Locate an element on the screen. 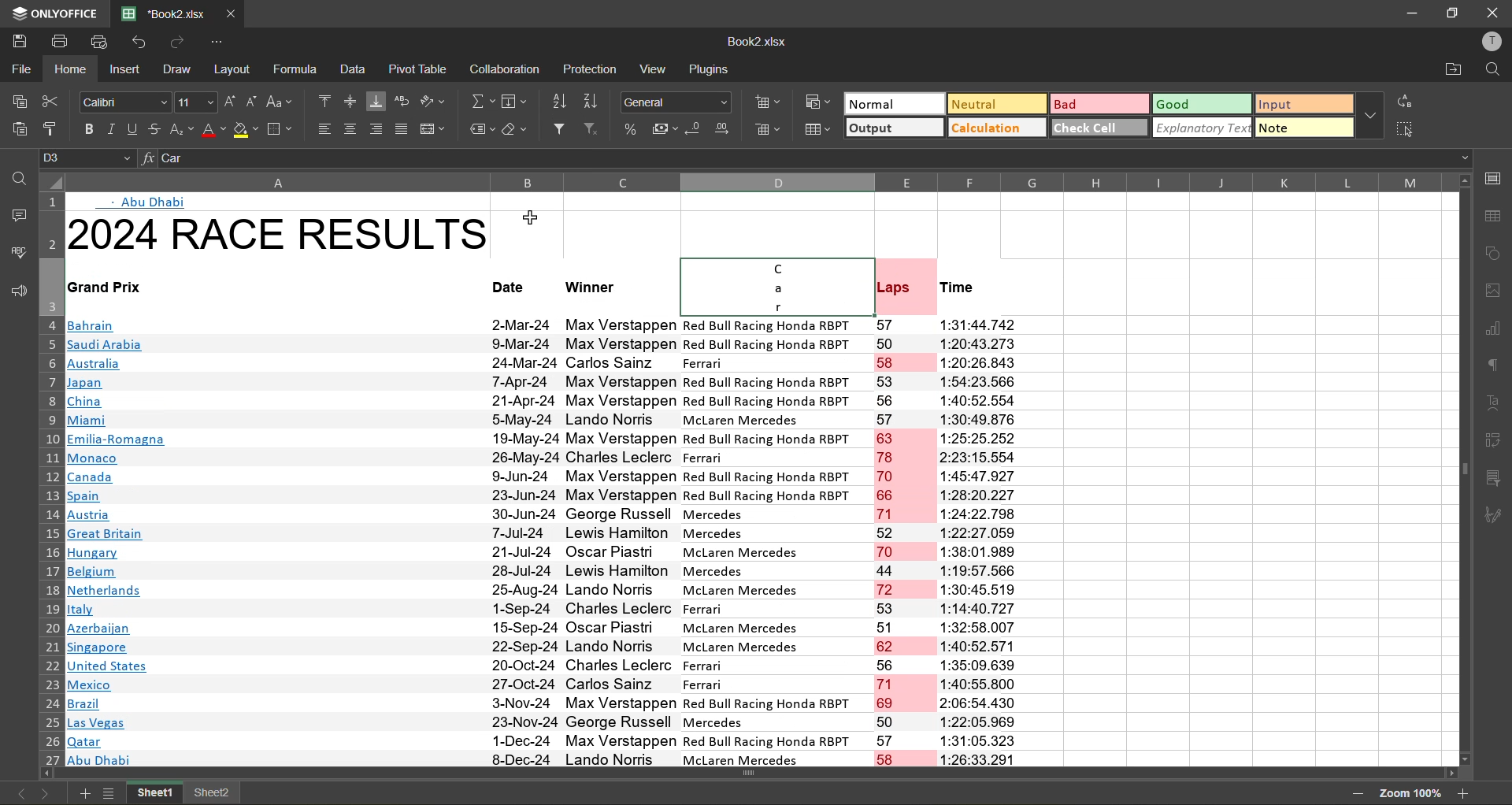 The width and height of the screenshot is (1512, 805). font size is located at coordinates (199, 102).